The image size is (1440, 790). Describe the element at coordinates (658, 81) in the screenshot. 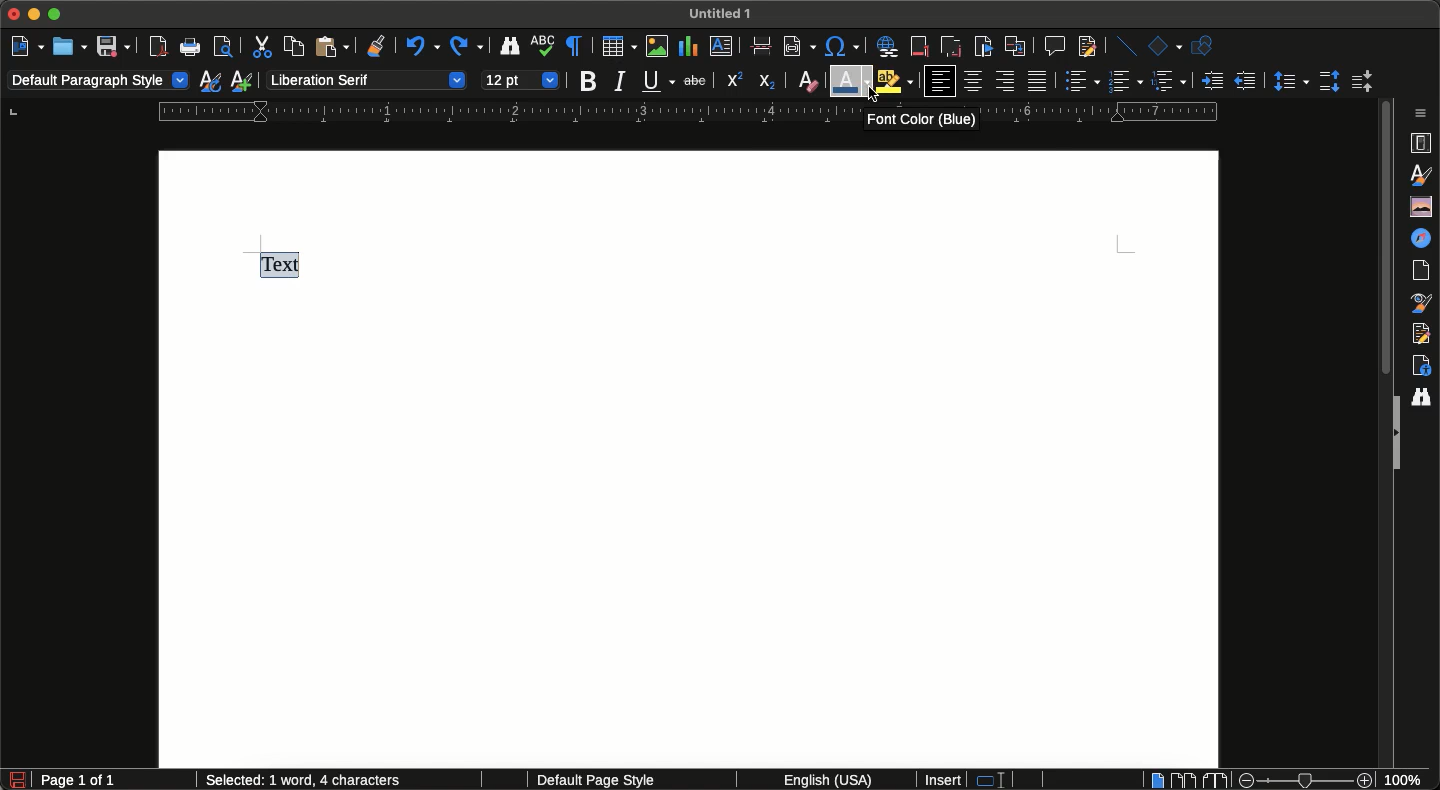

I see `Underline` at that location.